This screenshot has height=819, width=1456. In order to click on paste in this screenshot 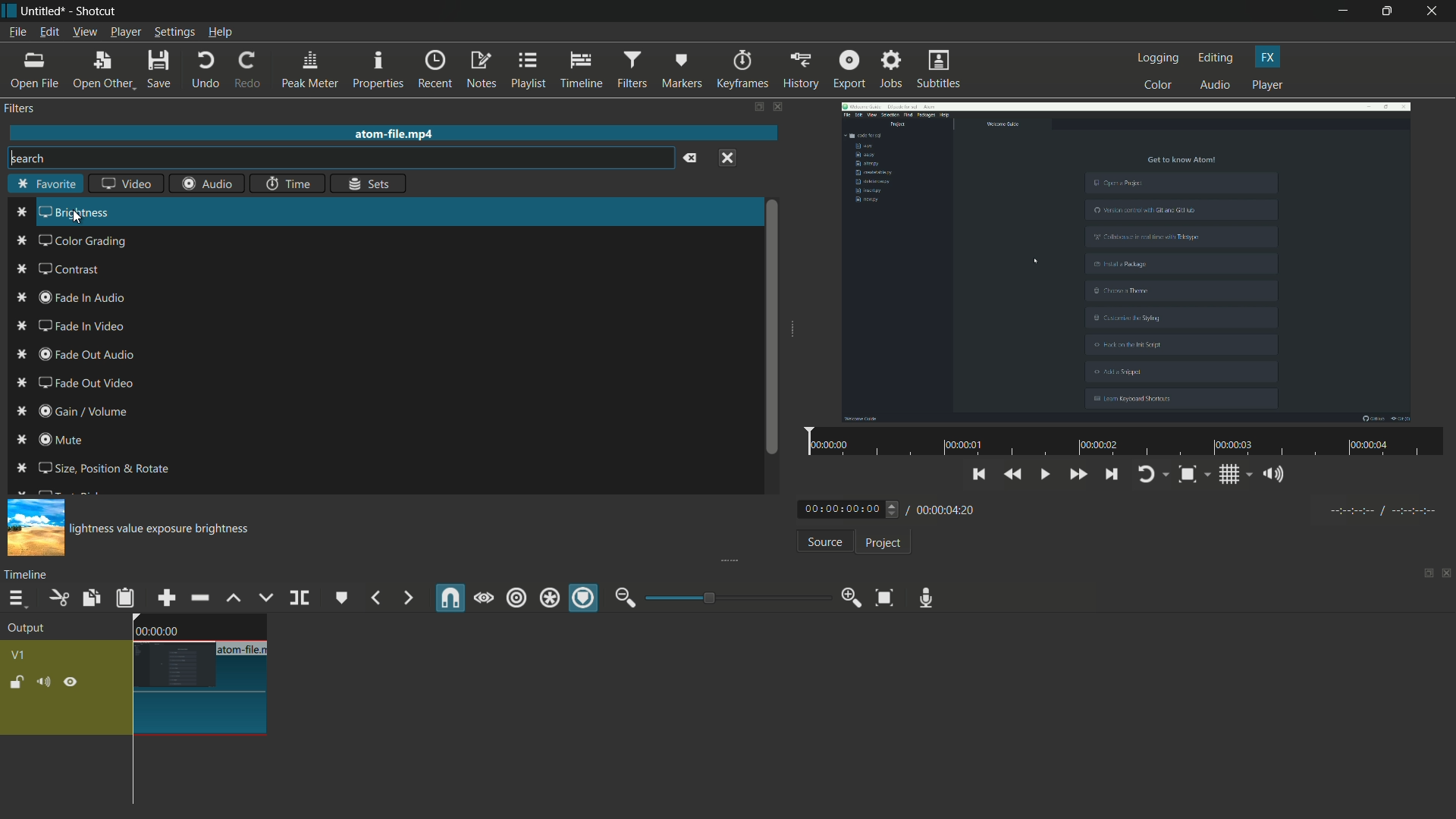, I will do `click(125, 598)`.